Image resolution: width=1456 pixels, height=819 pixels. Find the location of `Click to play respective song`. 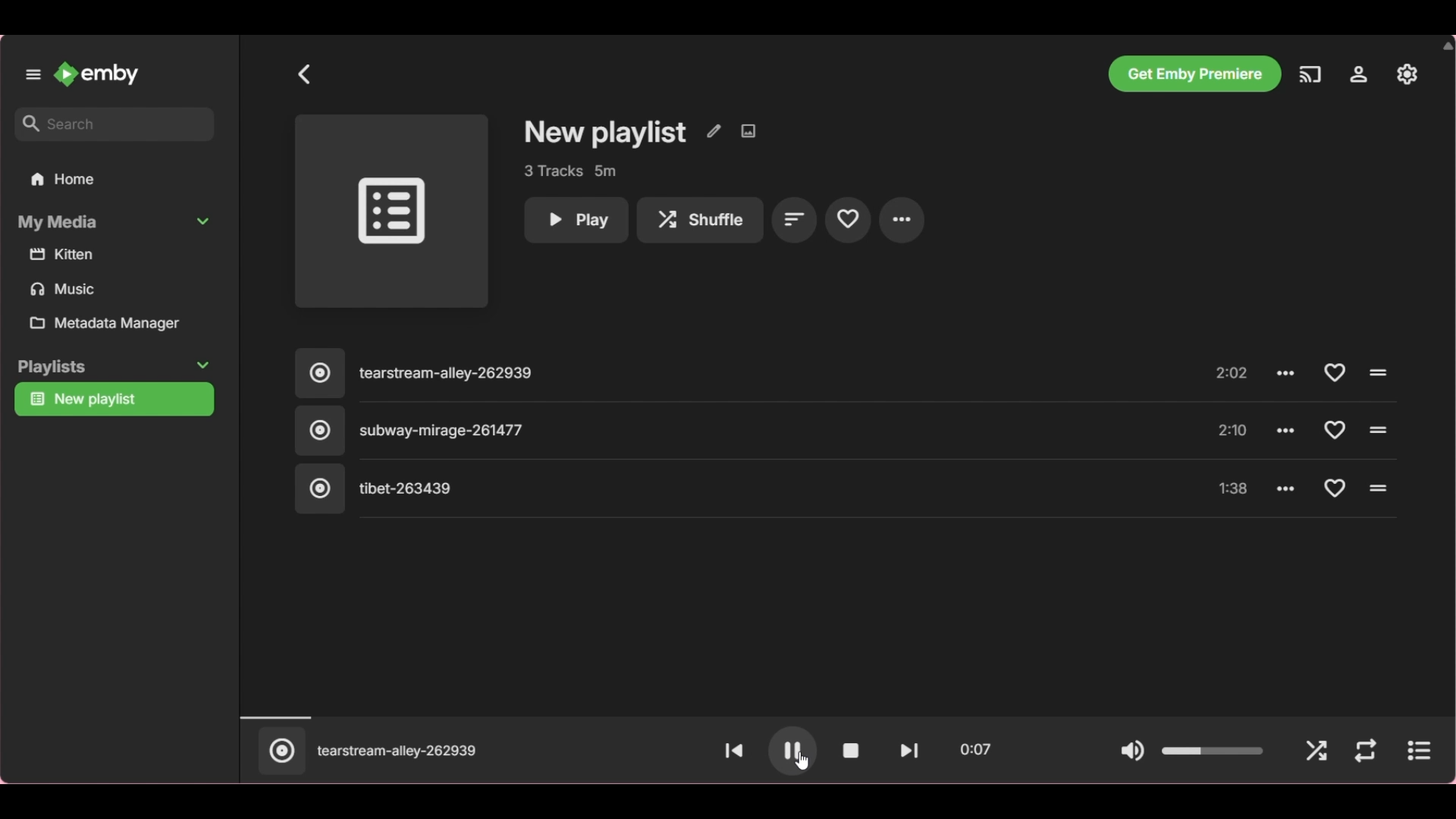

Click to play respective song is located at coordinates (1376, 373).